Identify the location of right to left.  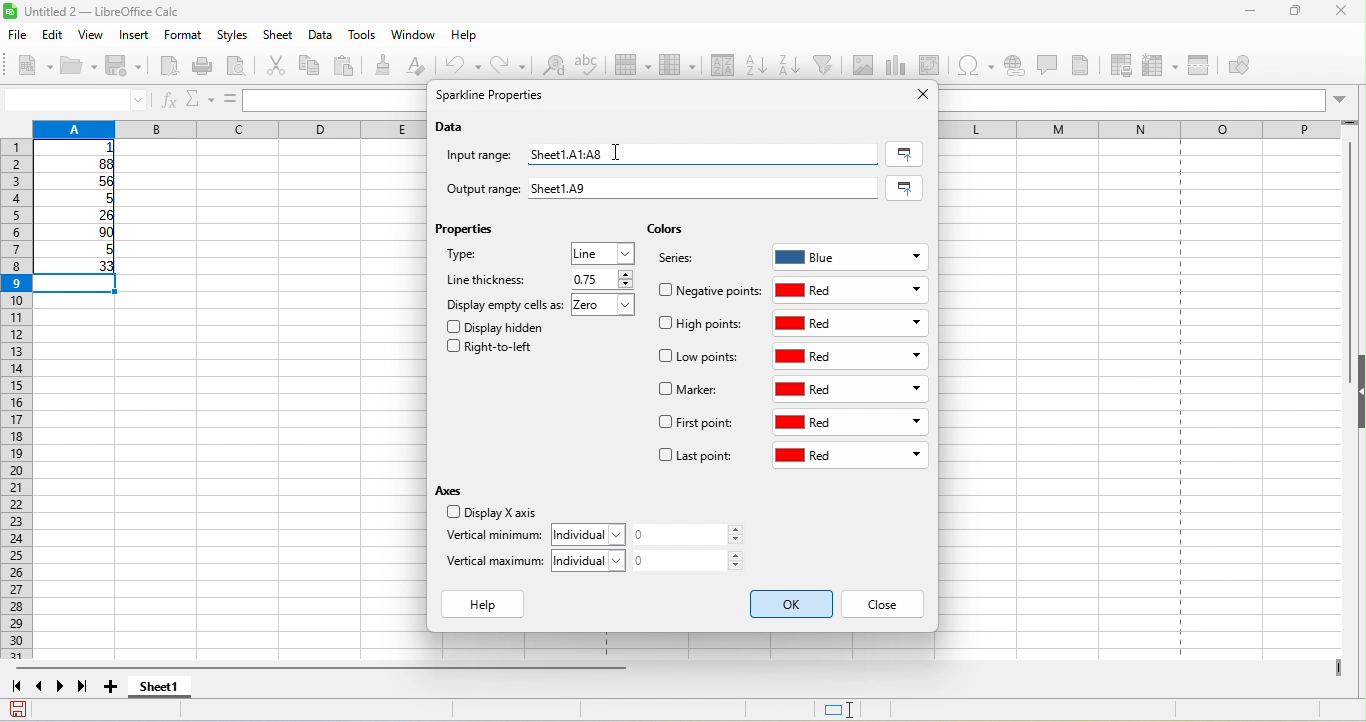
(496, 350).